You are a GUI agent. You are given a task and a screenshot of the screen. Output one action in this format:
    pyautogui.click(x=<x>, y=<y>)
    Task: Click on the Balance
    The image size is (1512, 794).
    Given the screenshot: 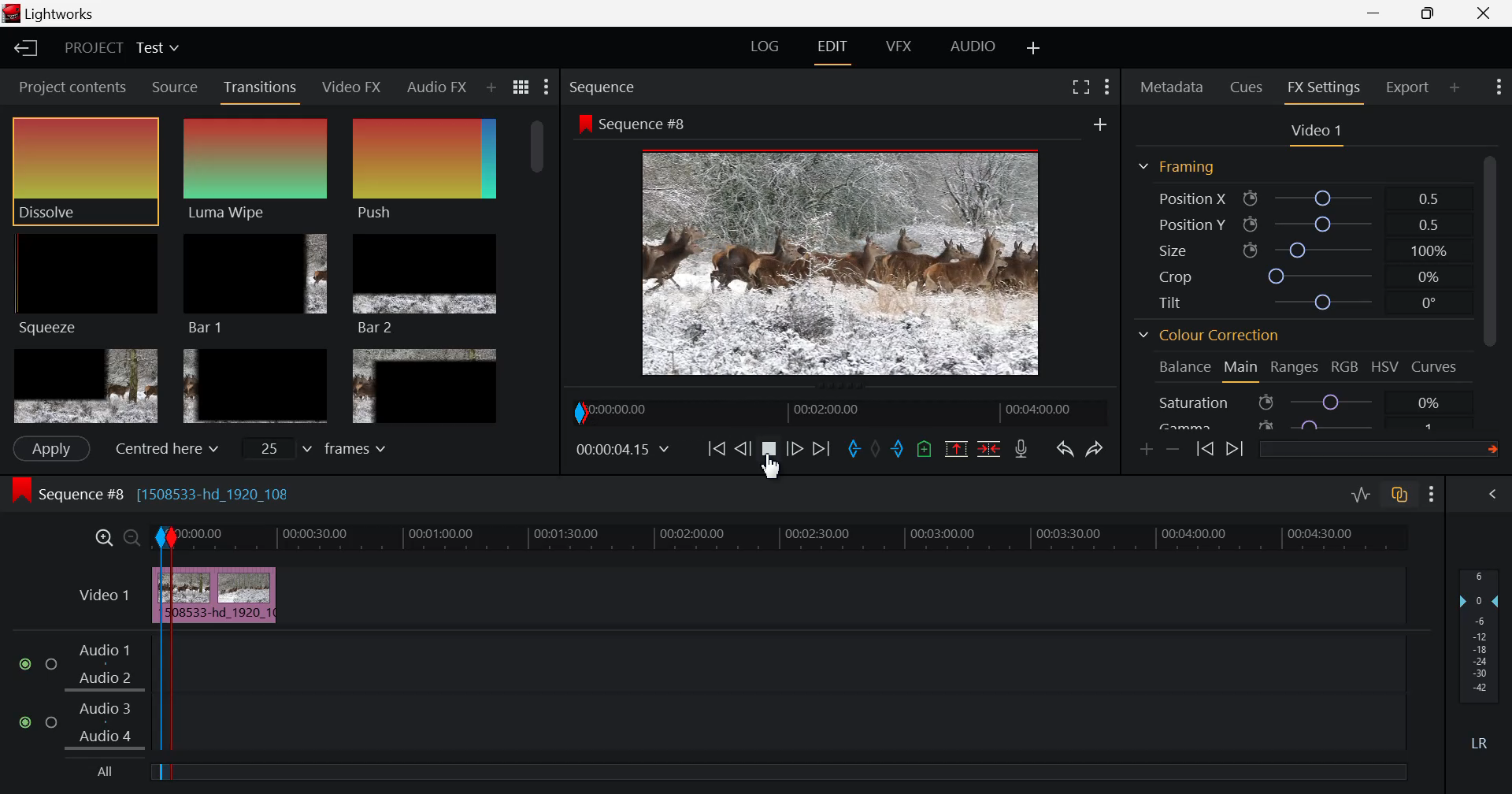 What is the action you would take?
    pyautogui.click(x=1185, y=368)
    